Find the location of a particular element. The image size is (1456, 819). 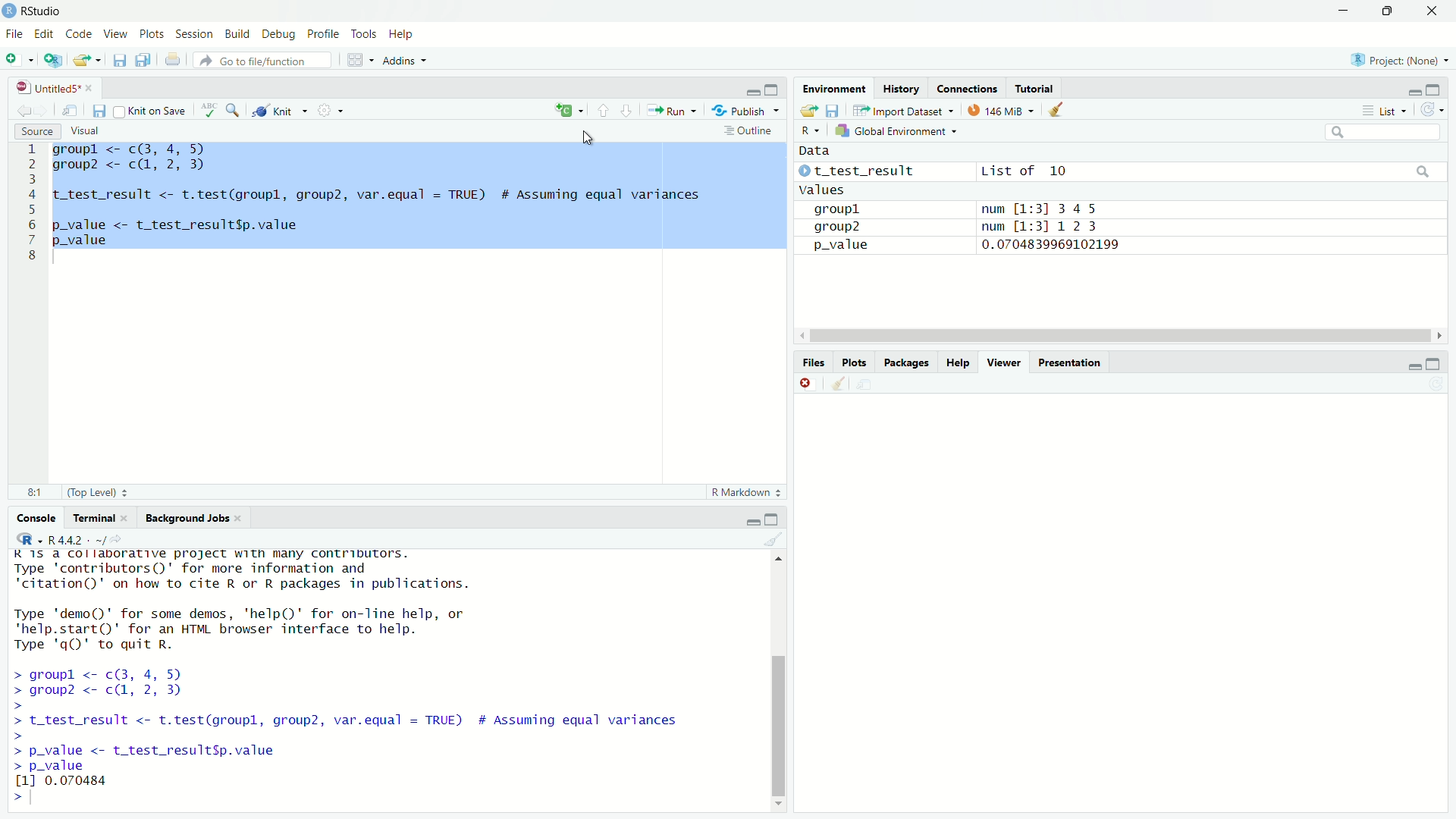

Visual is located at coordinates (89, 131).